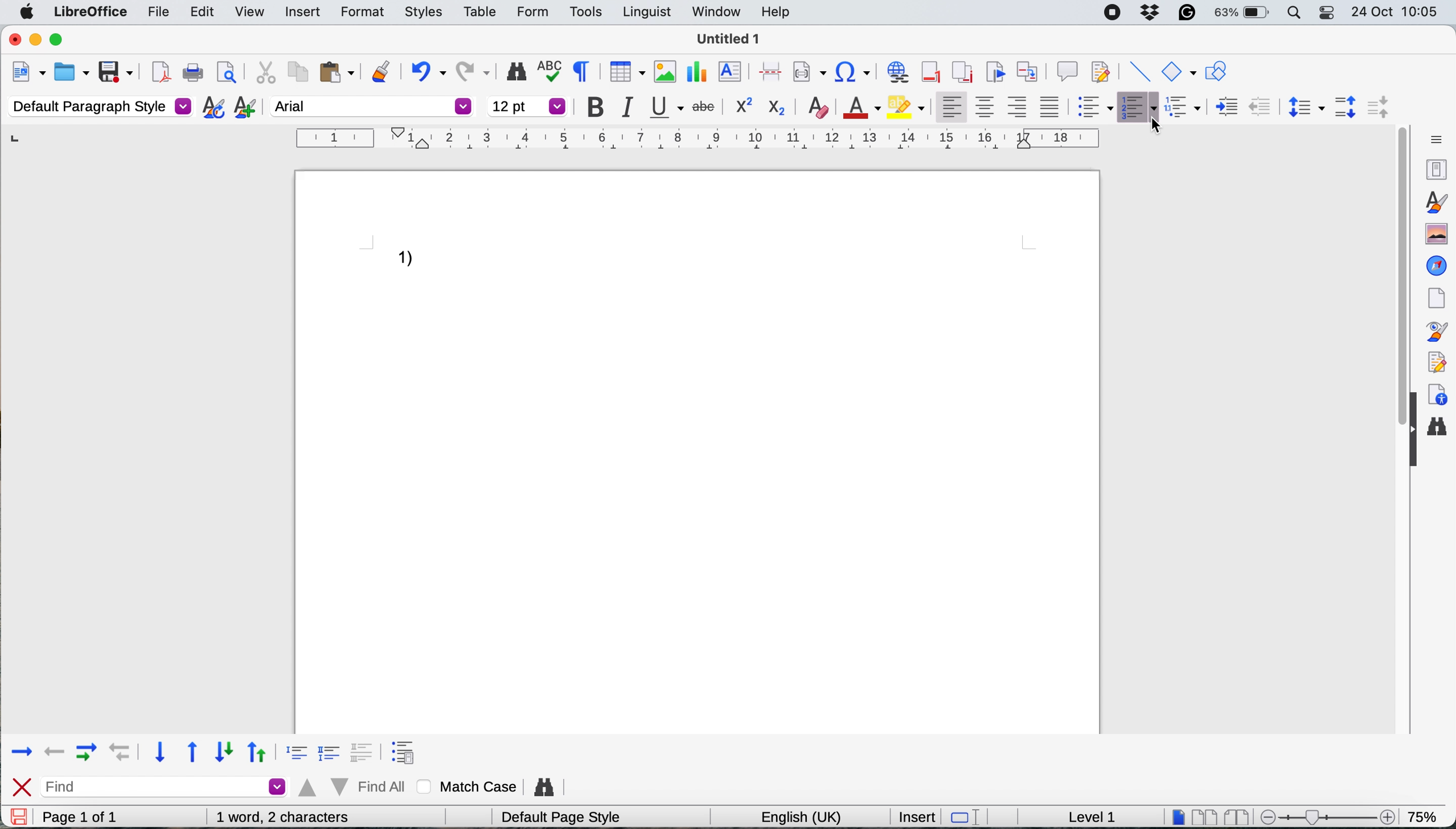 The image size is (1456, 829). Describe the element at coordinates (249, 14) in the screenshot. I see `view` at that location.